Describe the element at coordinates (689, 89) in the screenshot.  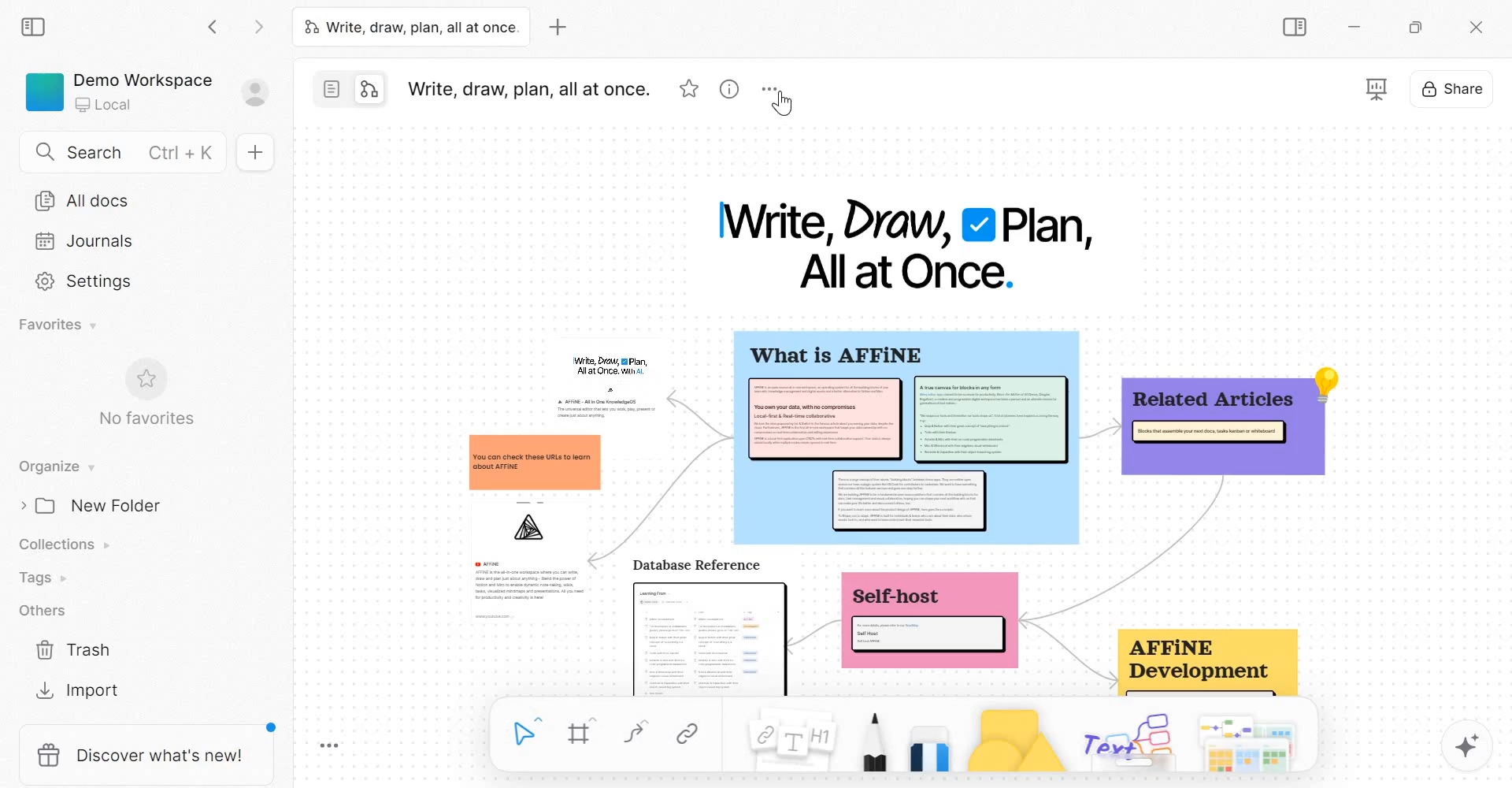
I see `favorite` at that location.